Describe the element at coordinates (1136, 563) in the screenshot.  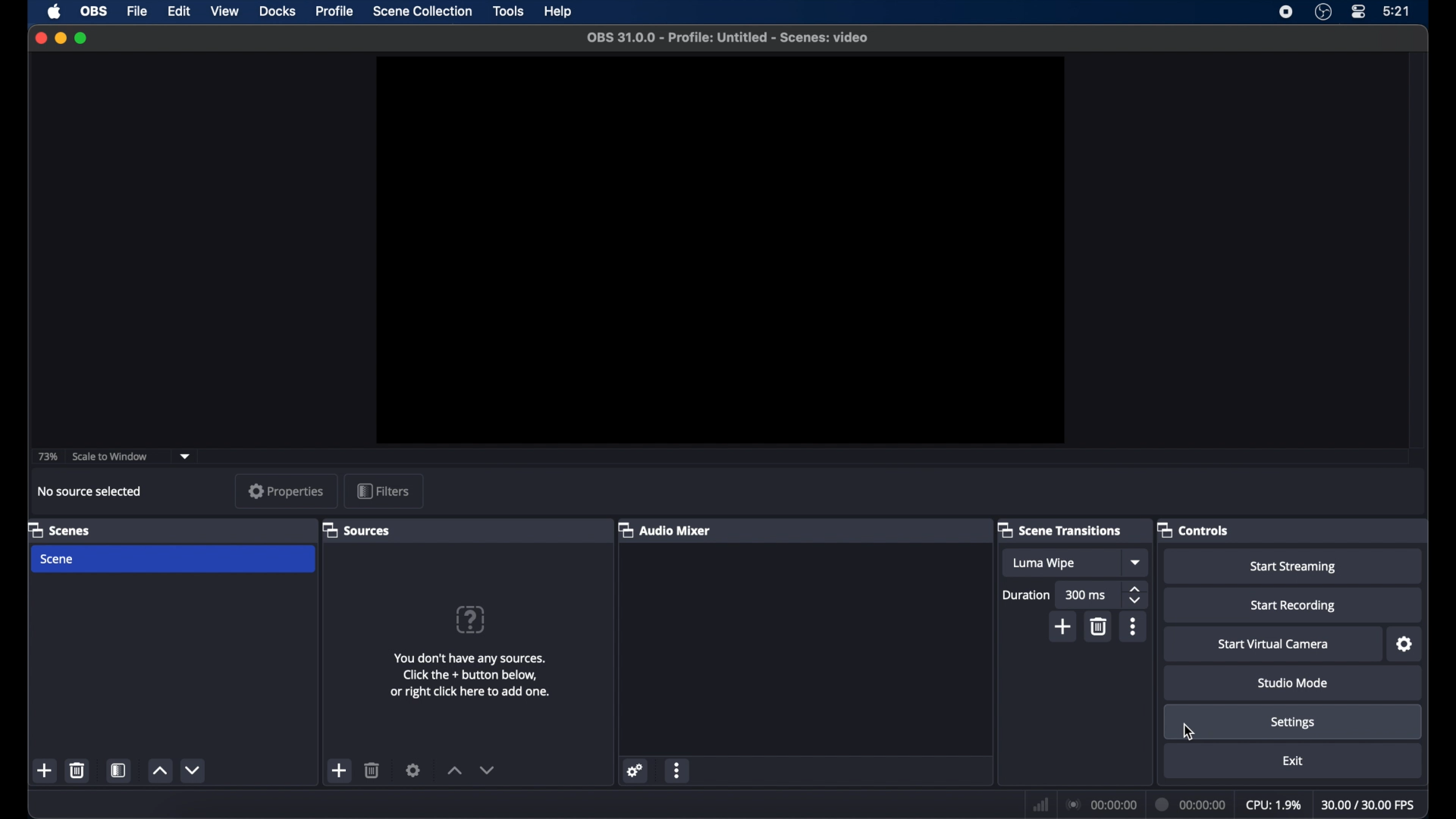
I see `dropdown` at that location.